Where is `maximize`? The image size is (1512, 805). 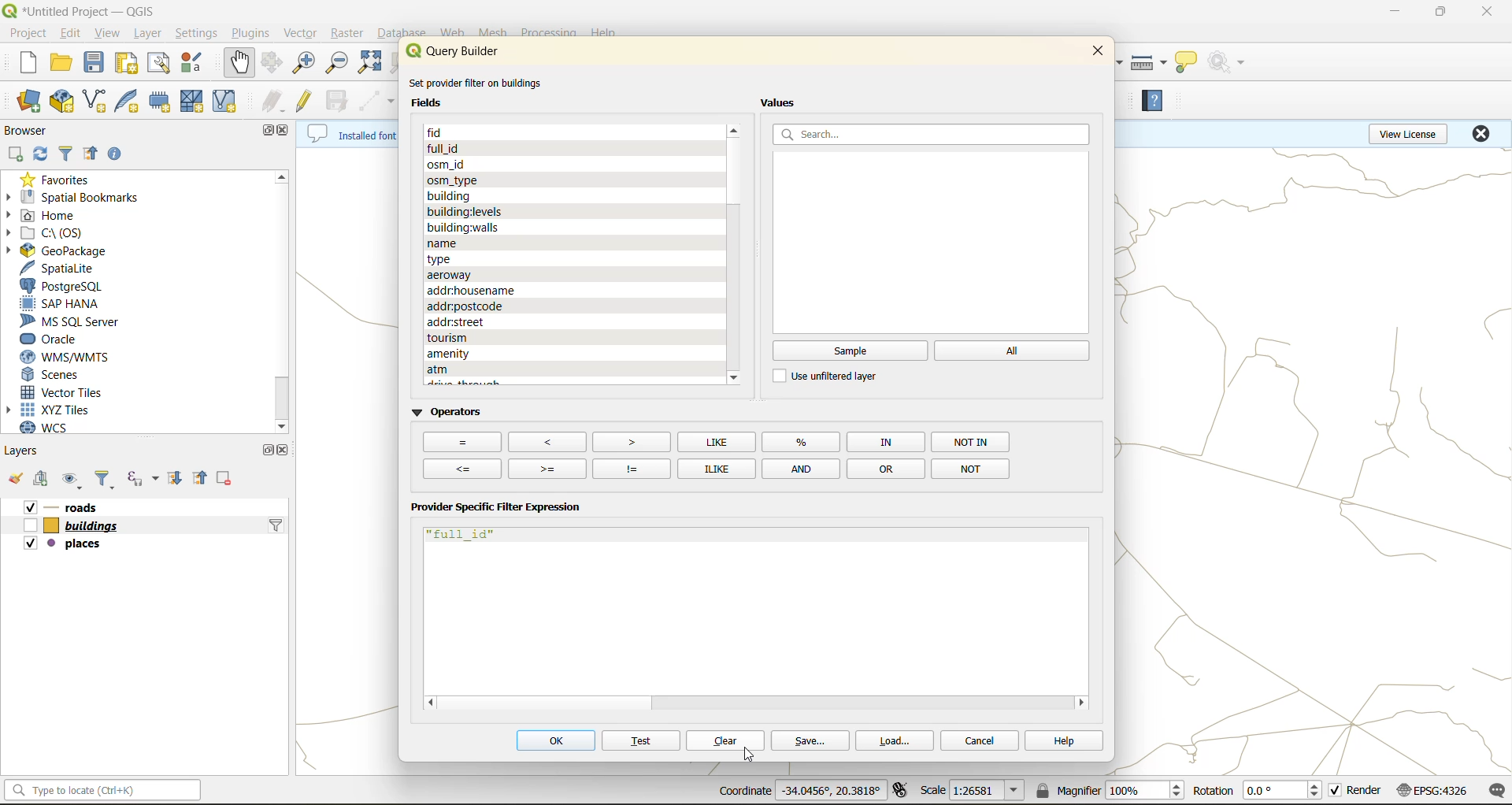 maximize is located at coordinates (265, 453).